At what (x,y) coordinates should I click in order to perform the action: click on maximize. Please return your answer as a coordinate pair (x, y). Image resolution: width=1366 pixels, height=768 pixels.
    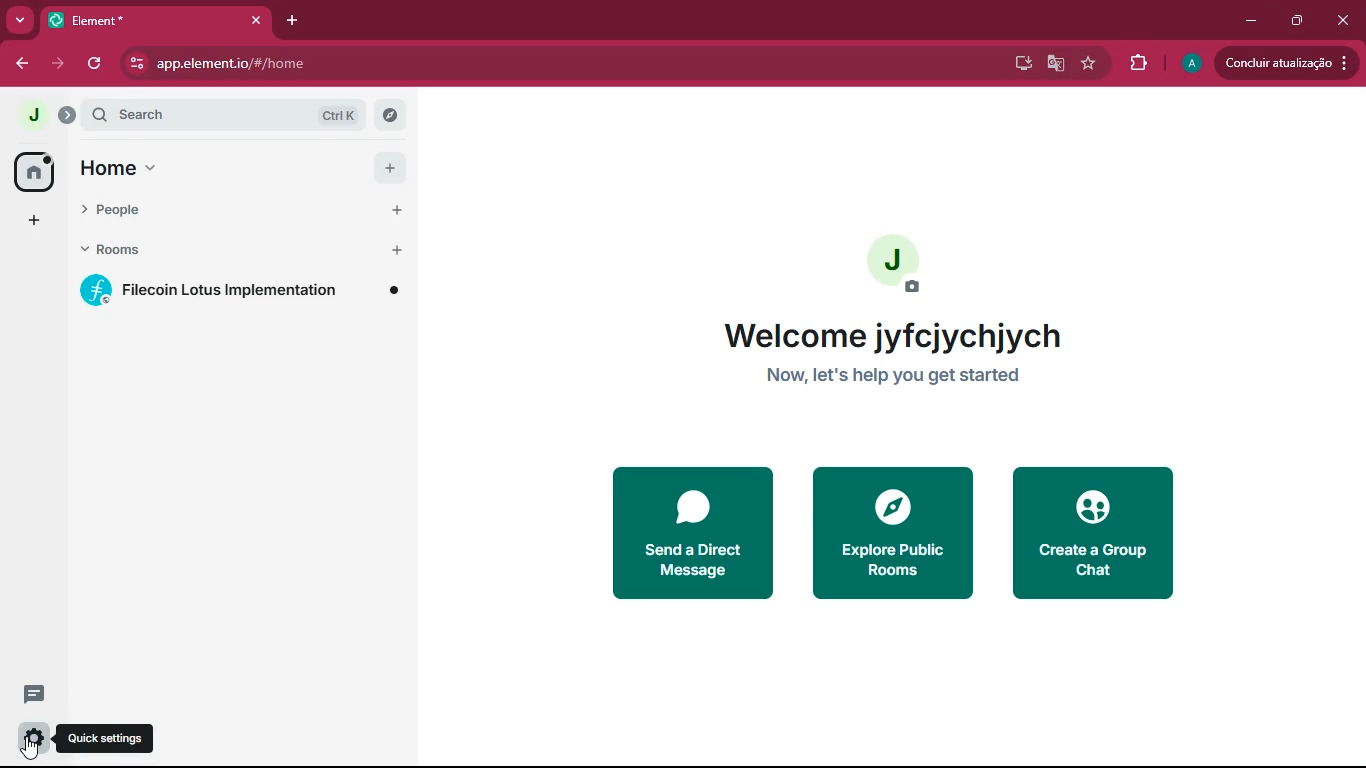
    Looking at the image, I should click on (1296, 22).